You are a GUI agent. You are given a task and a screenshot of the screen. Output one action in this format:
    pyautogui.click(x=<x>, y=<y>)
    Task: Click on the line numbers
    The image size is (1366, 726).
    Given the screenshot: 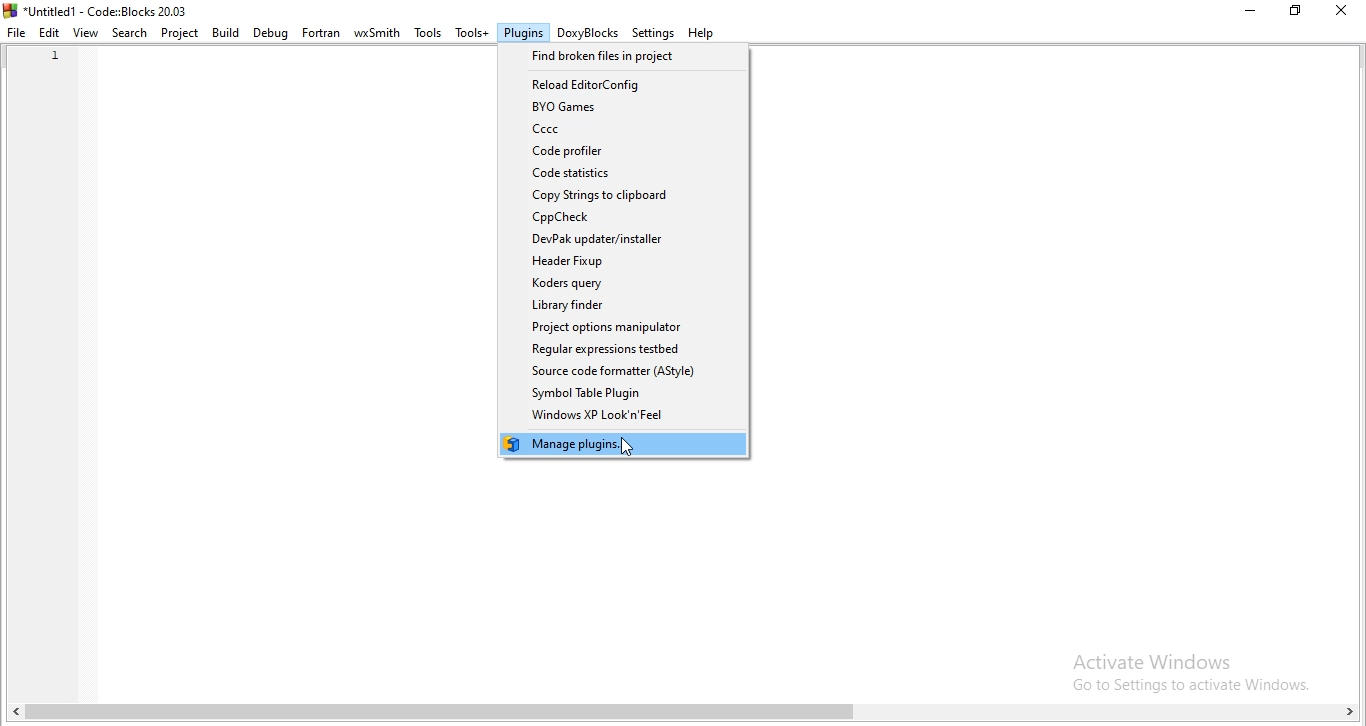 What is the action you would take?
    pyautogui.click(x=51, y=74)
    